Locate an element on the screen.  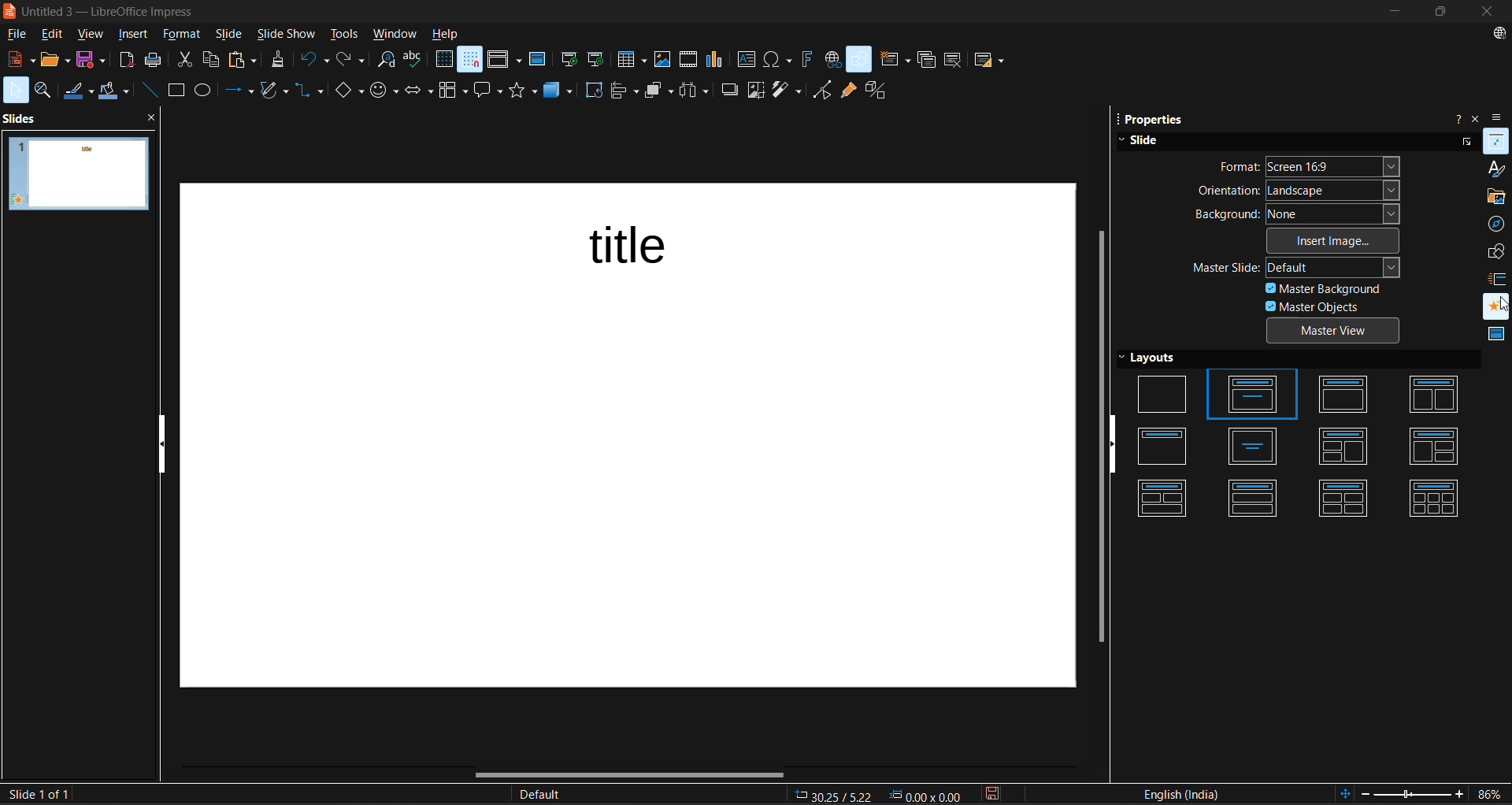
undo is located at coordinates (313, 61).